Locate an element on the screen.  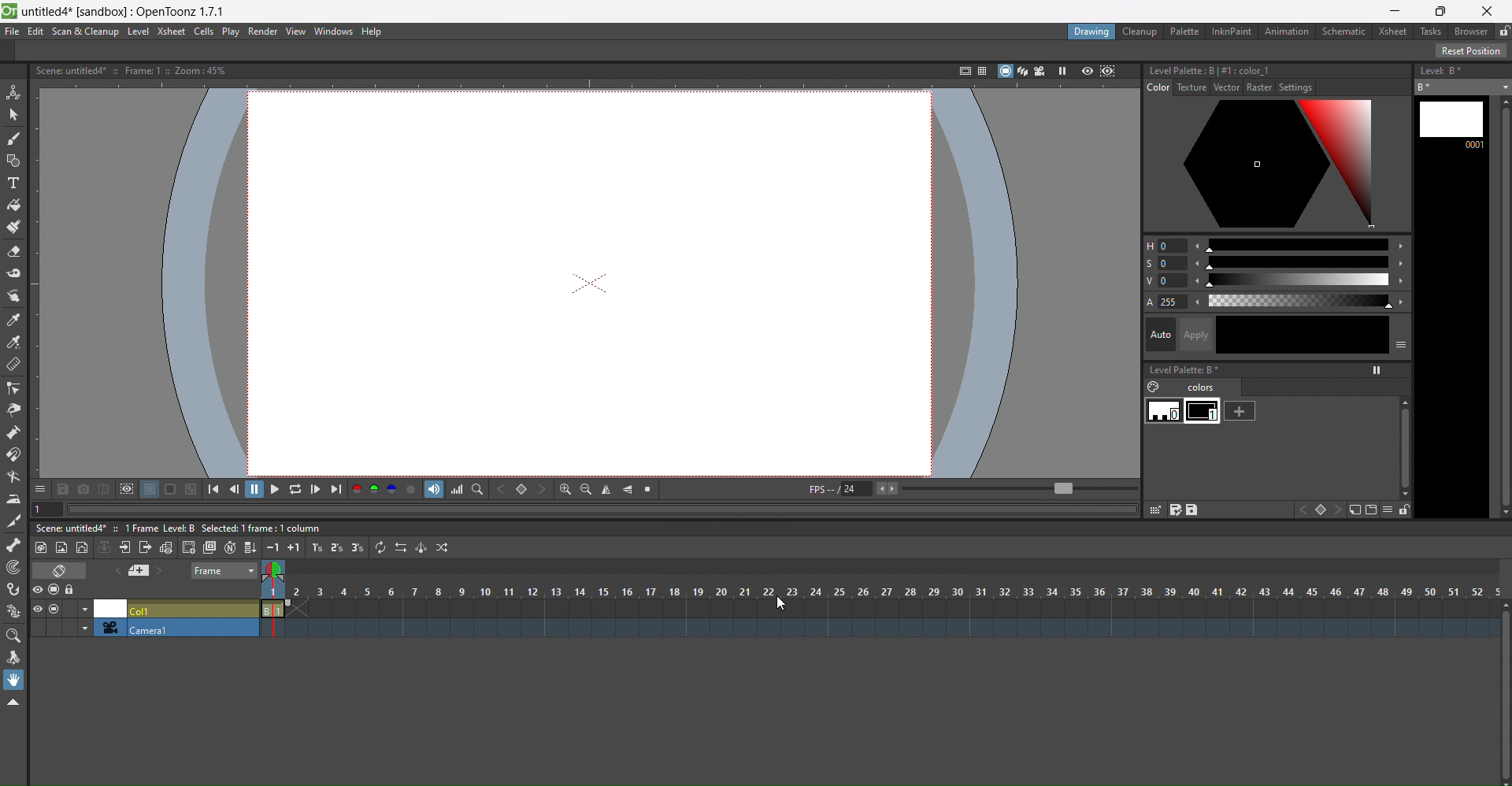
tool is located at coordinates (83, 488).